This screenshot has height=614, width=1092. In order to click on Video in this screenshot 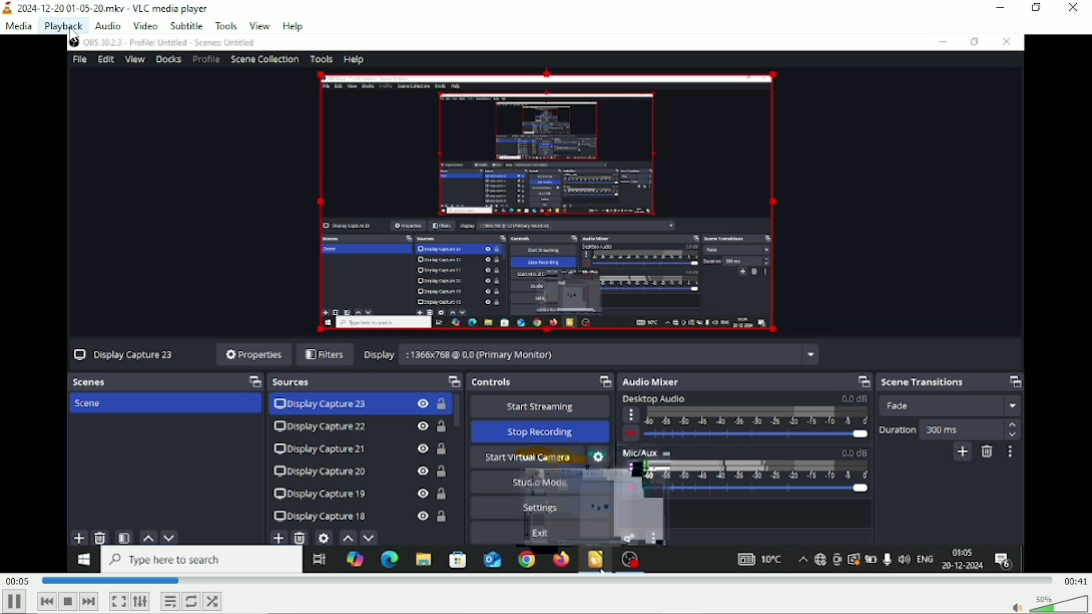, I will do `click(145, 25)`.